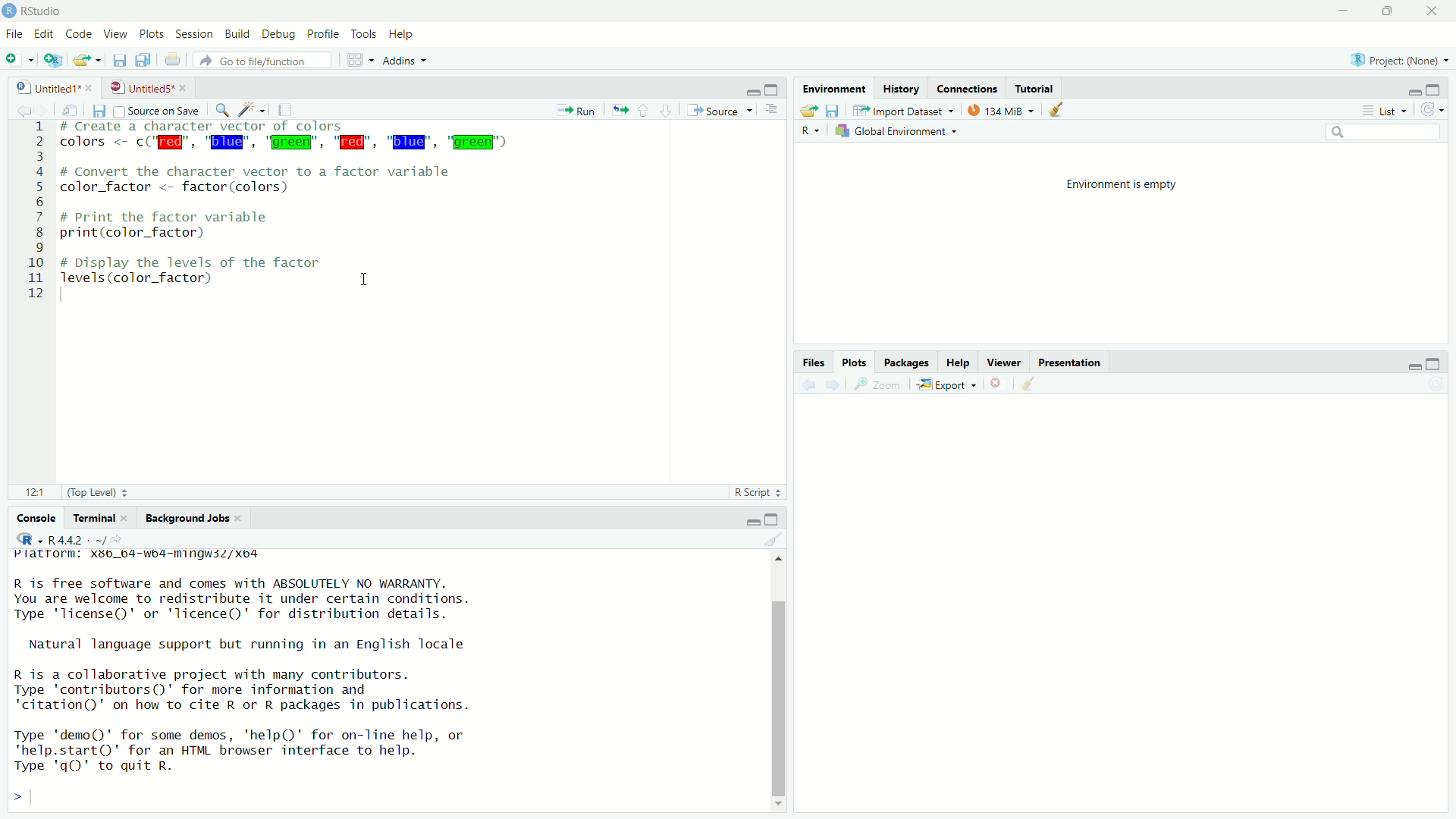 The image size is (1456, 819). What do you see at coordinates (161, 557) in the screenshot?
I see `platform` at bounding box center [161, 557].